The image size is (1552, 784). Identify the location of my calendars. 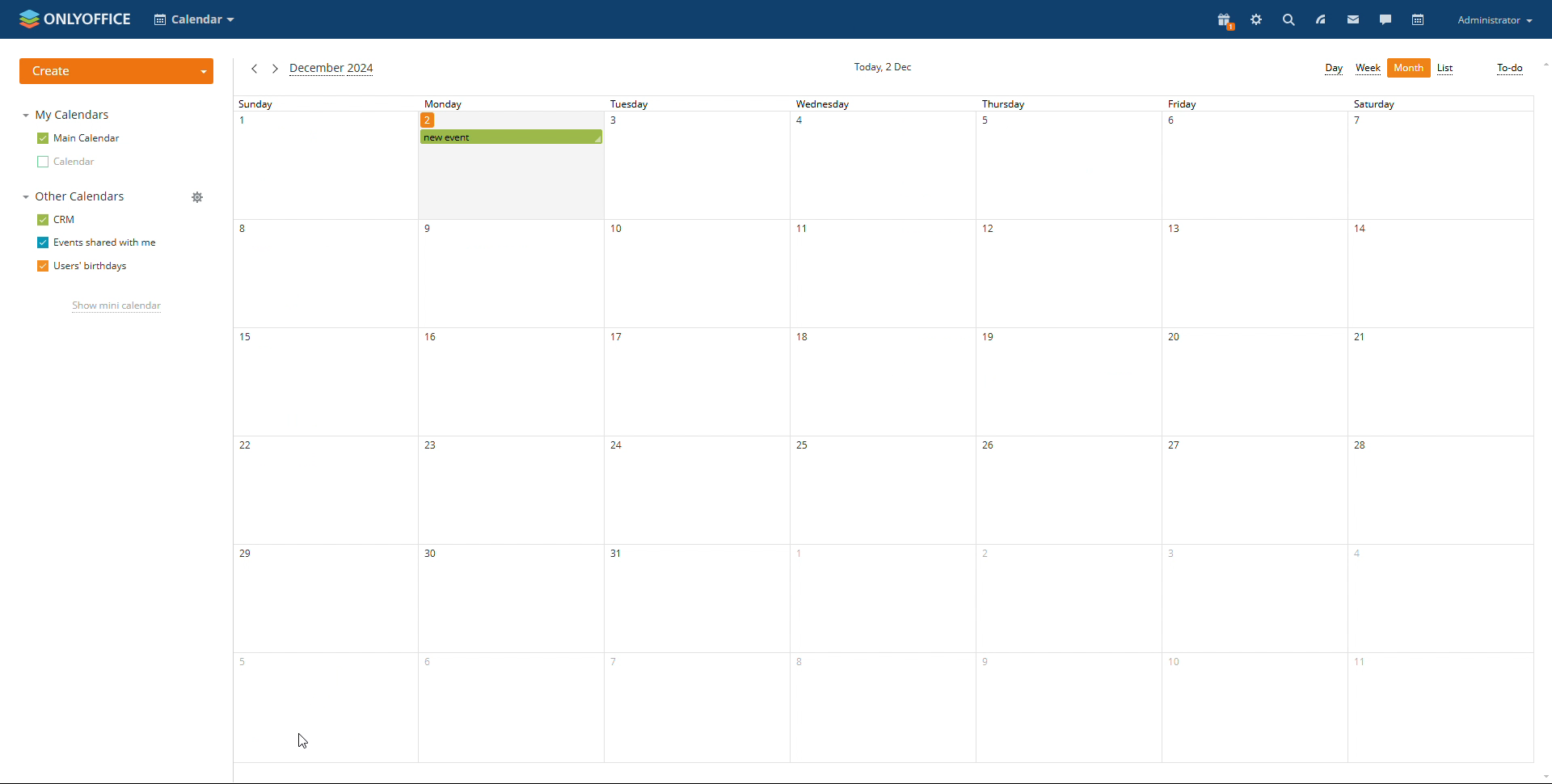
(70, 115).